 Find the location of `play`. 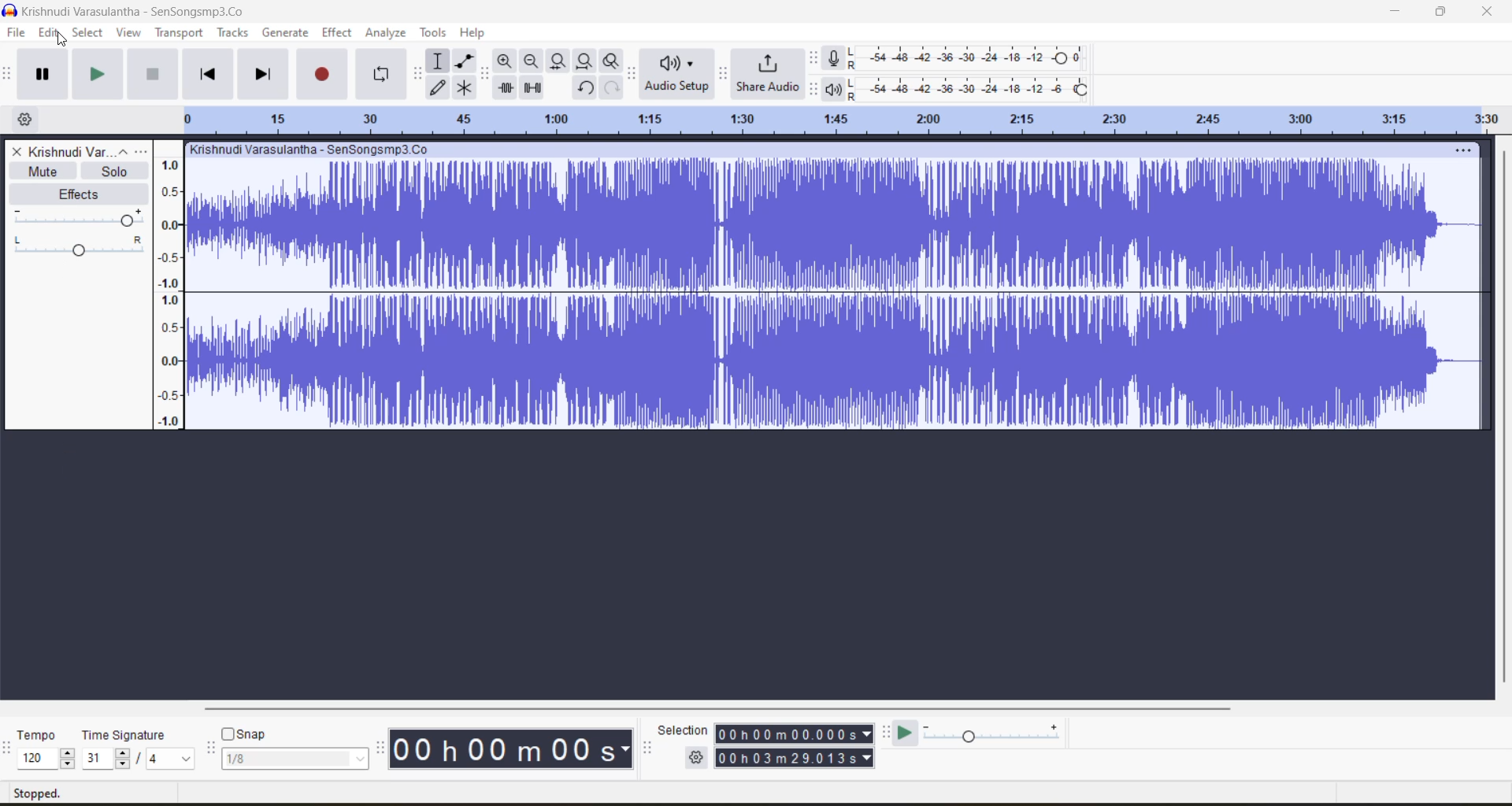

play is located at coordinates (99, 75).